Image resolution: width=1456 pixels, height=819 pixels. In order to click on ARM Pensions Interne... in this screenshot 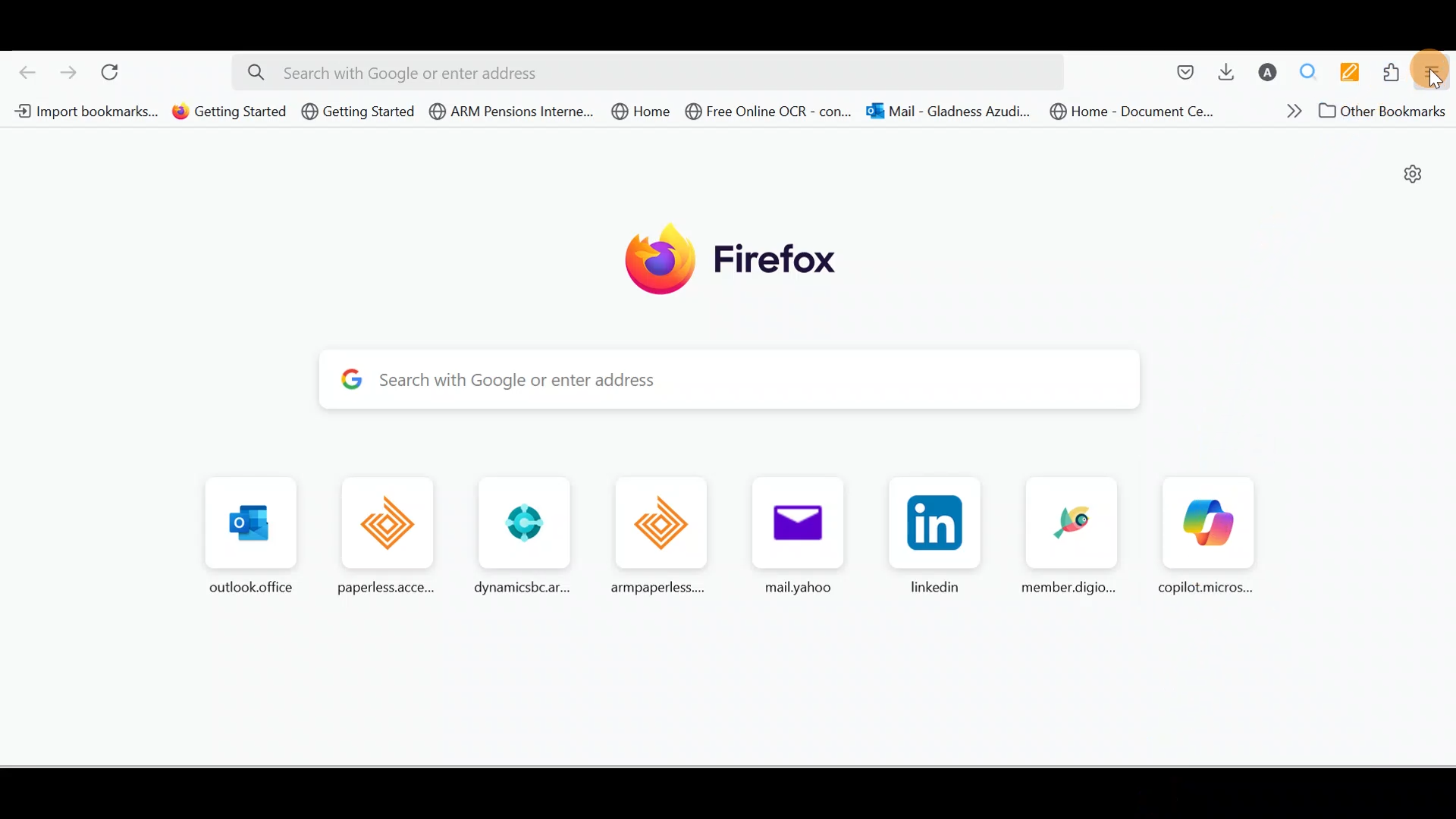, I will do `click(510, 110)`.